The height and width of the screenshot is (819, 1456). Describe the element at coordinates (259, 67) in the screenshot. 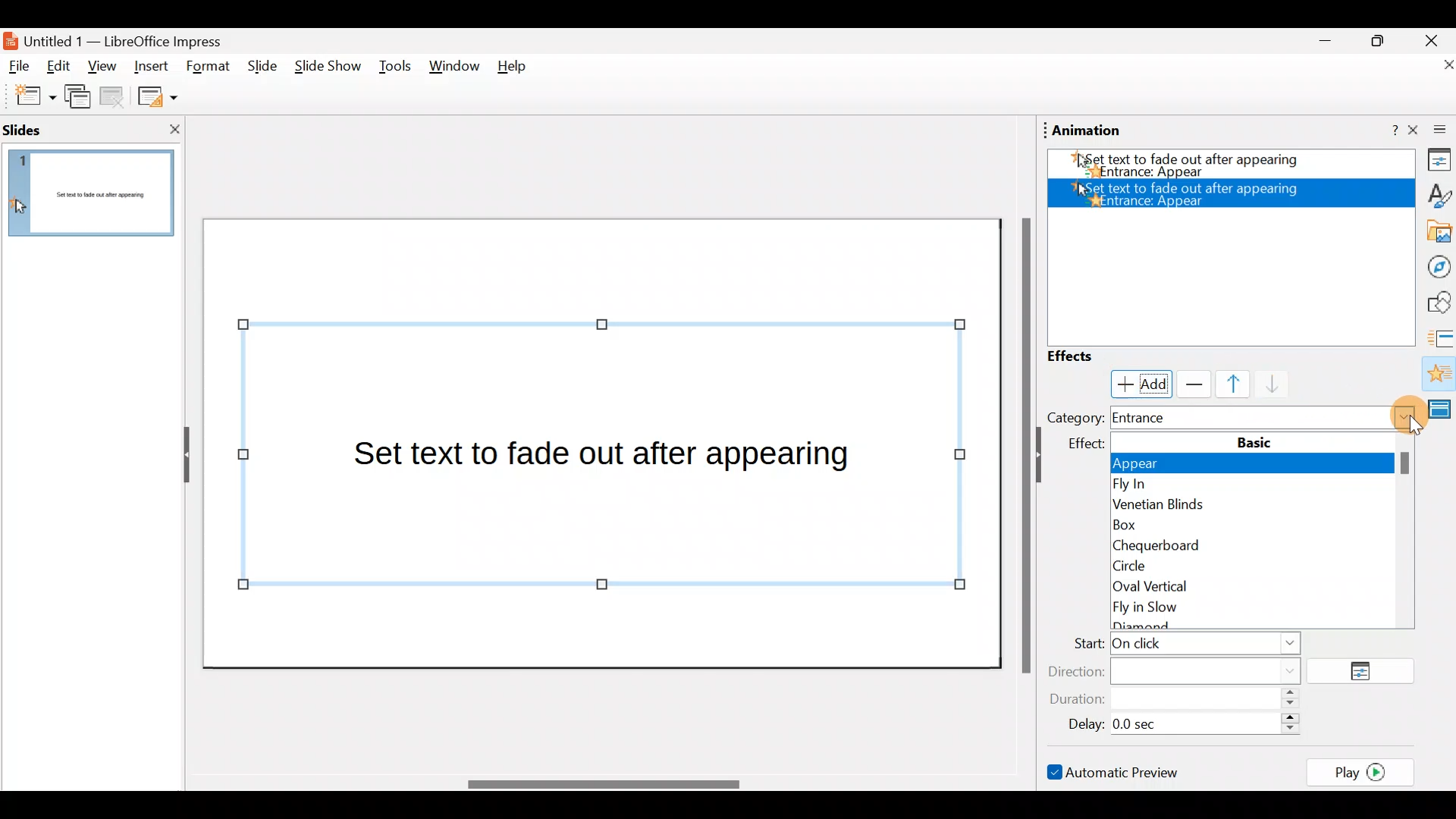

I see `Slide` at that location.